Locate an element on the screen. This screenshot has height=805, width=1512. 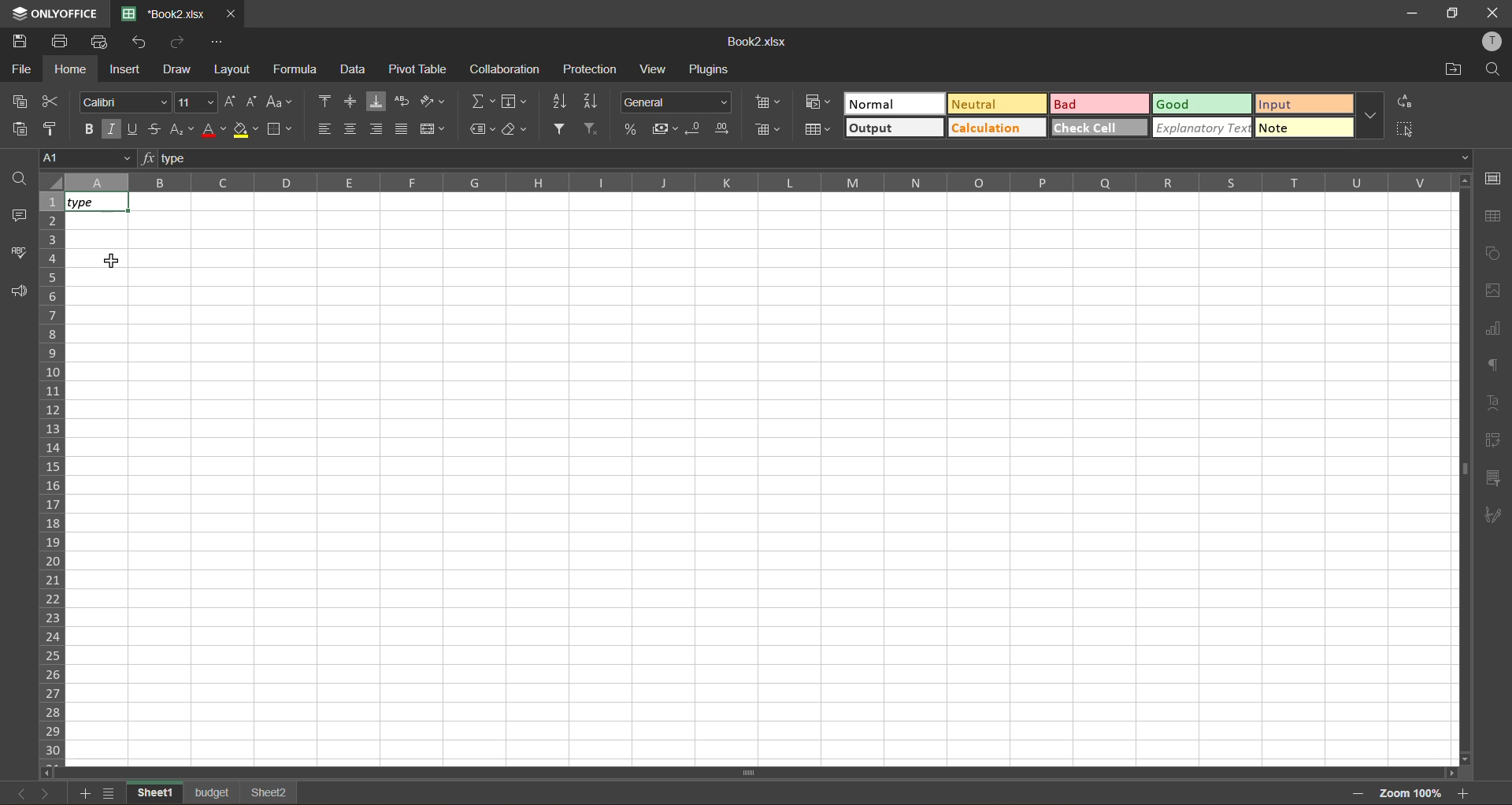
replace is located at coordinates (1407, 103).